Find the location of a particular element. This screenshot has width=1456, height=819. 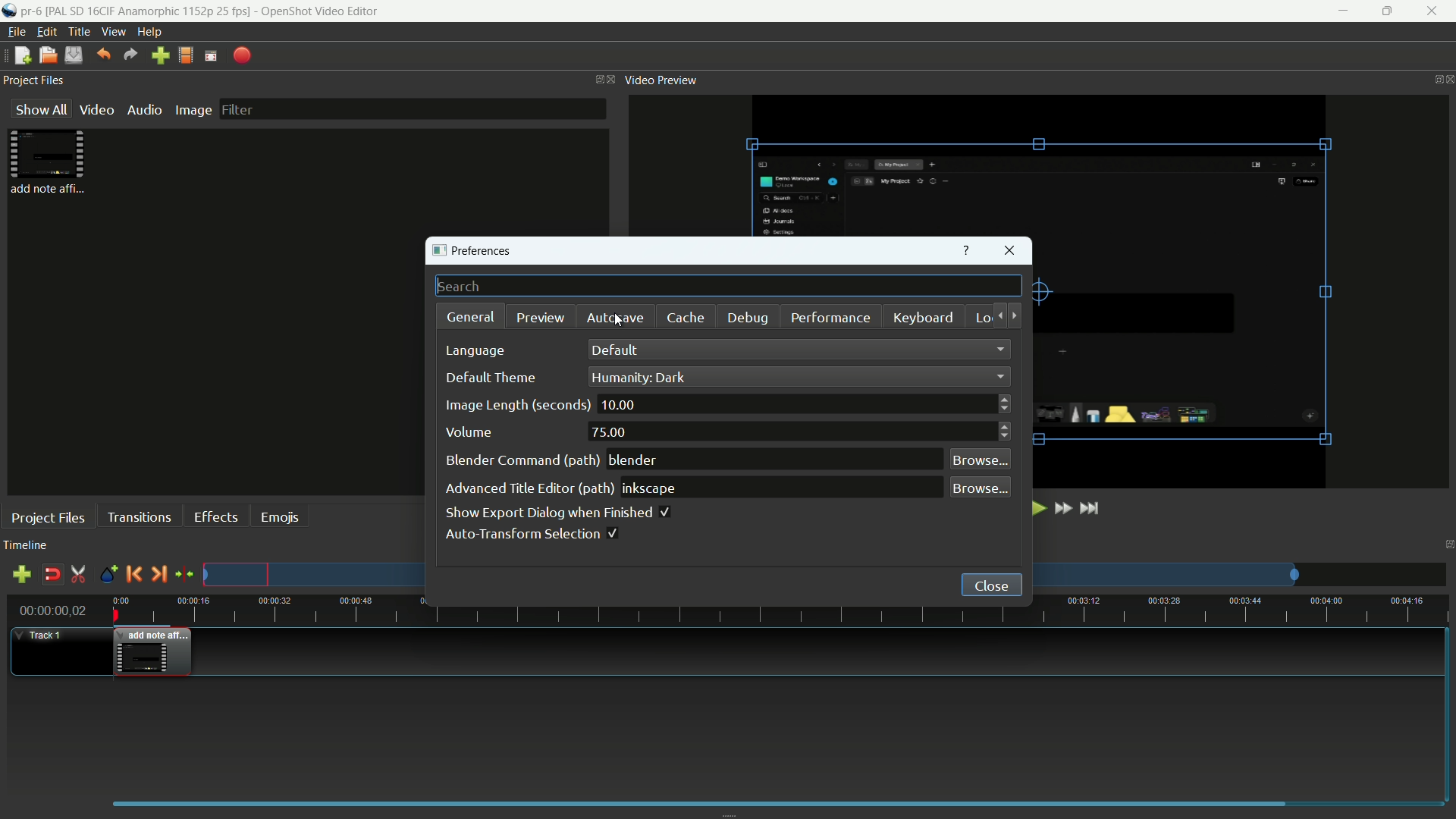

jump to end is located at coordinates (1093, 508).